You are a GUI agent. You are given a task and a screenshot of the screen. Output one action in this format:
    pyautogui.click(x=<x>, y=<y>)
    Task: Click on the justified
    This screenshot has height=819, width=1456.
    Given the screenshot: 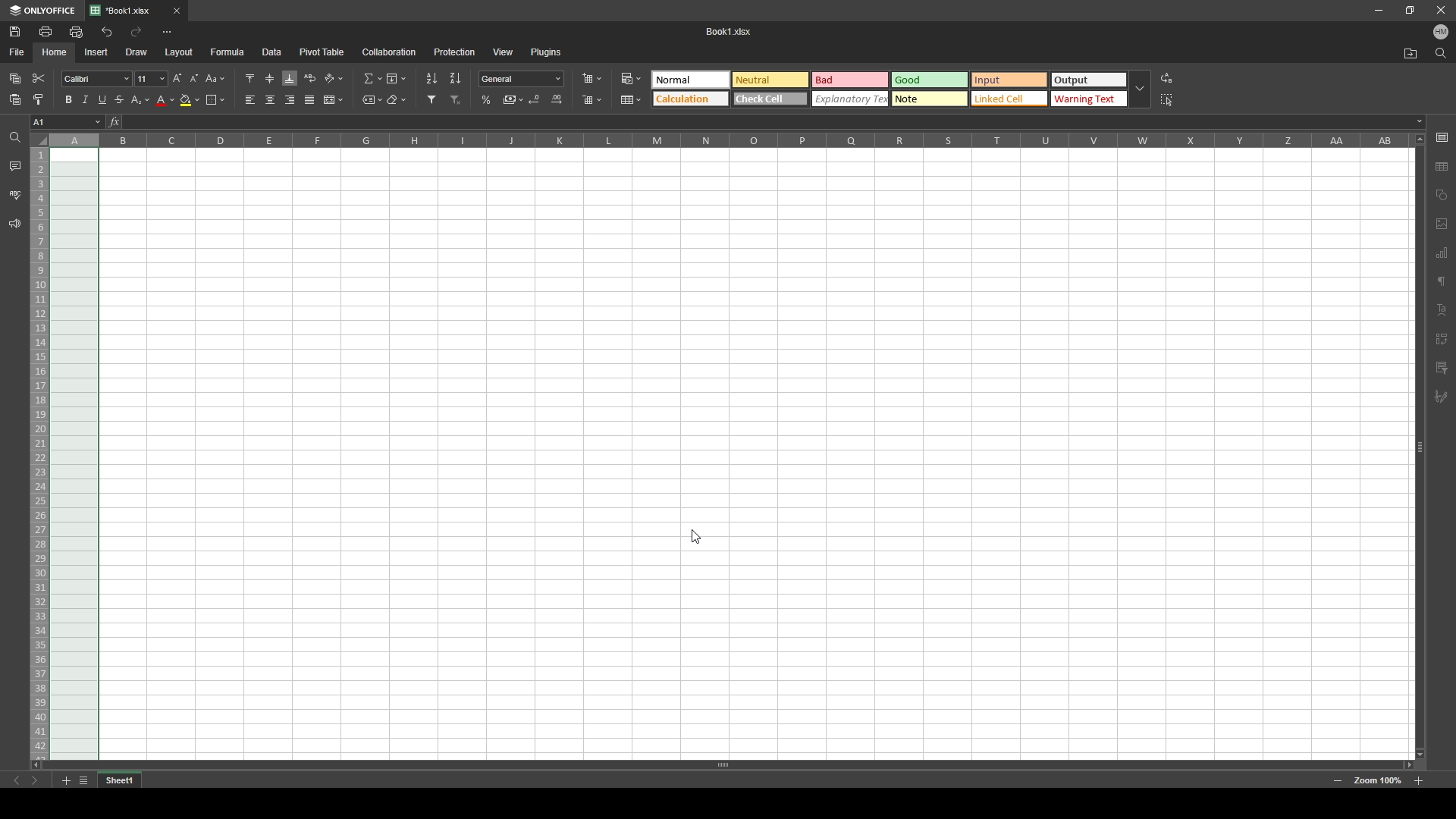 What is the action you would take?
    pyautogui.click(x=310, y=100)
    